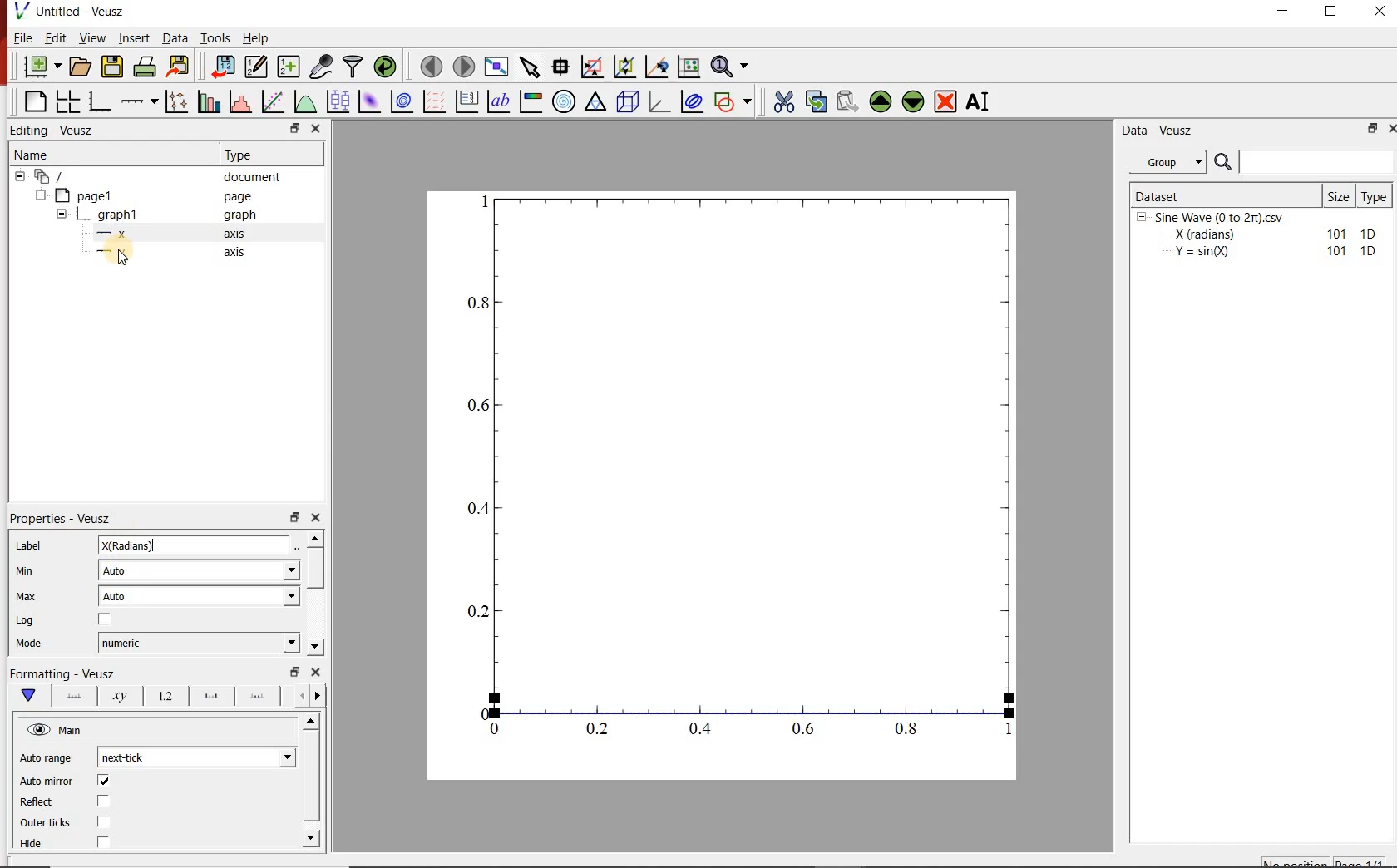 The image size is (1397, 868). Describe the element at coordinates (199, 644) in the screenshot. I see `Numeric` at that location.